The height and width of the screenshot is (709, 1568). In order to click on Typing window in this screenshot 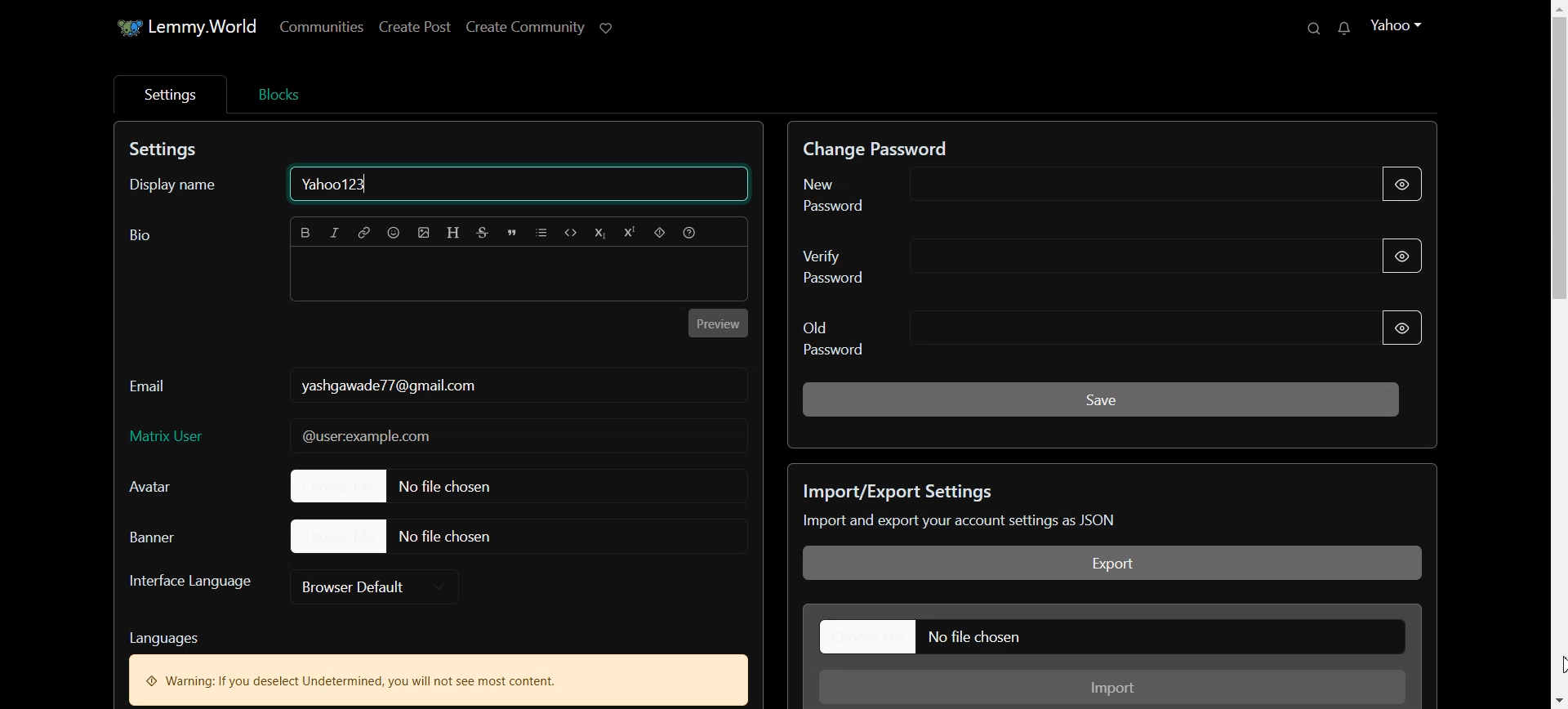, I will do `click(519, 277)`.